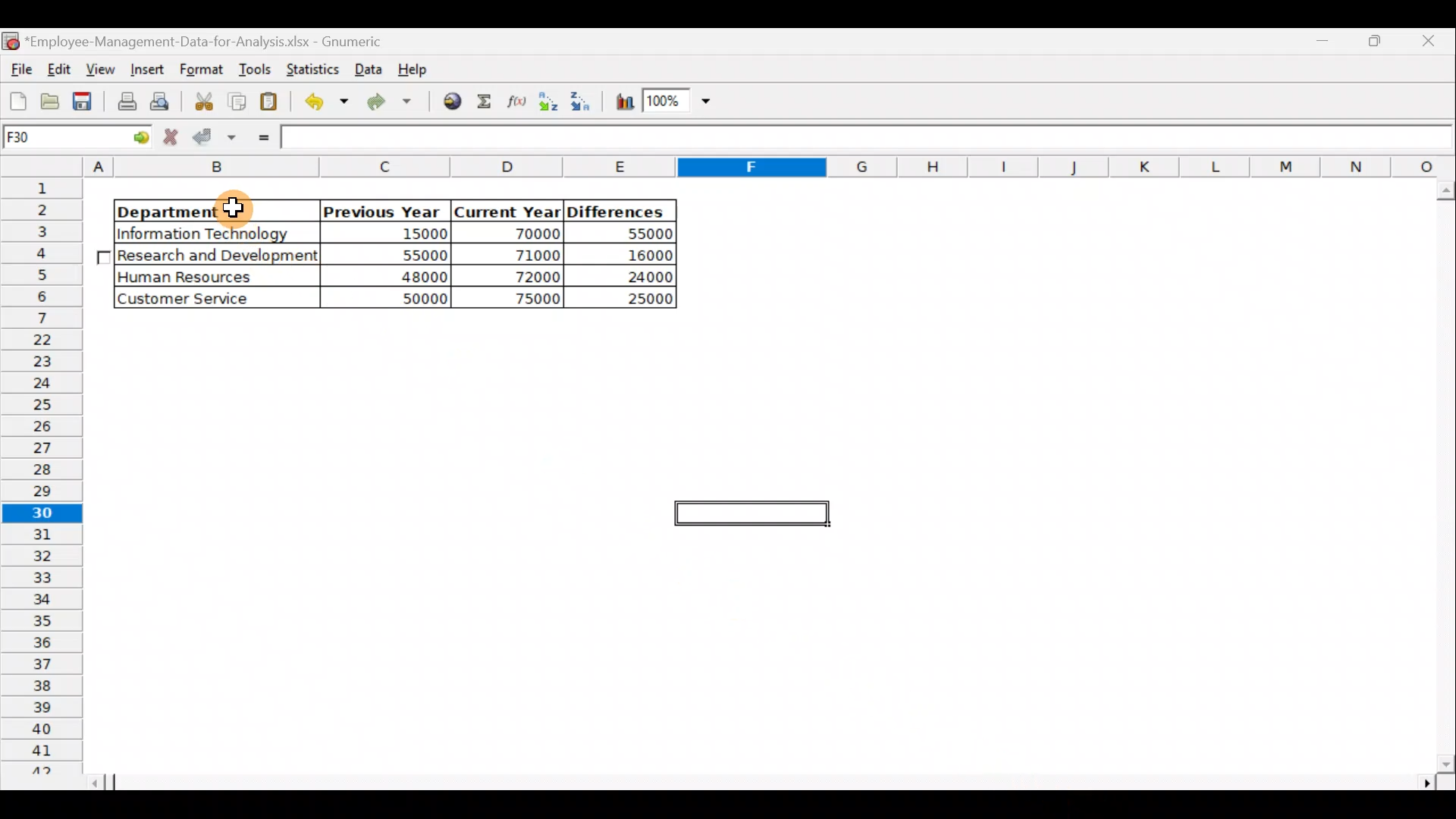 This screenshot has height=819, width=1456. Describe the element at coordinates (146, 68) in the screenshot. I see `Insert` at that location.